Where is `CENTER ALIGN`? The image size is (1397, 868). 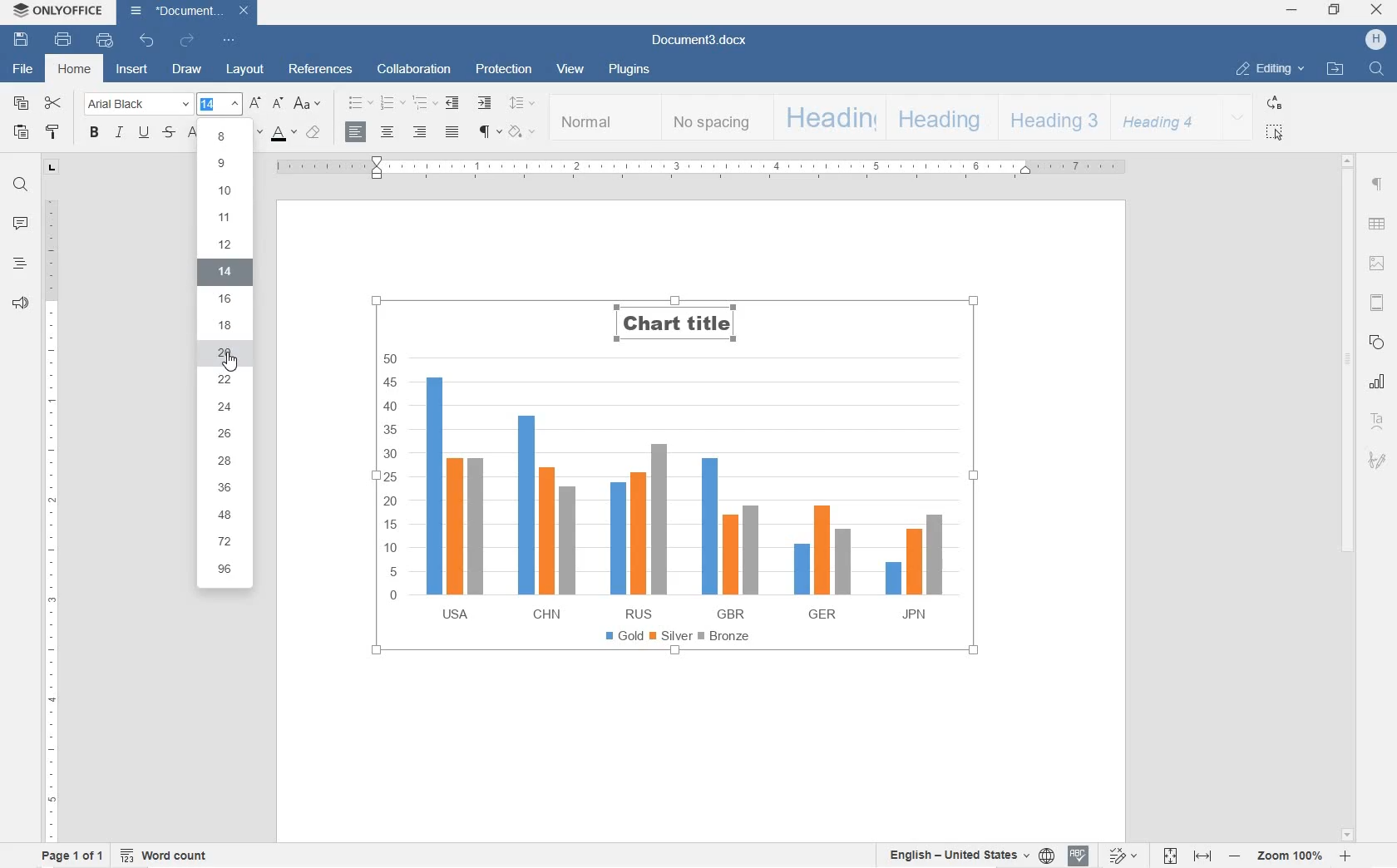 CENTER ALIGN is located at coordinates (388, 132).